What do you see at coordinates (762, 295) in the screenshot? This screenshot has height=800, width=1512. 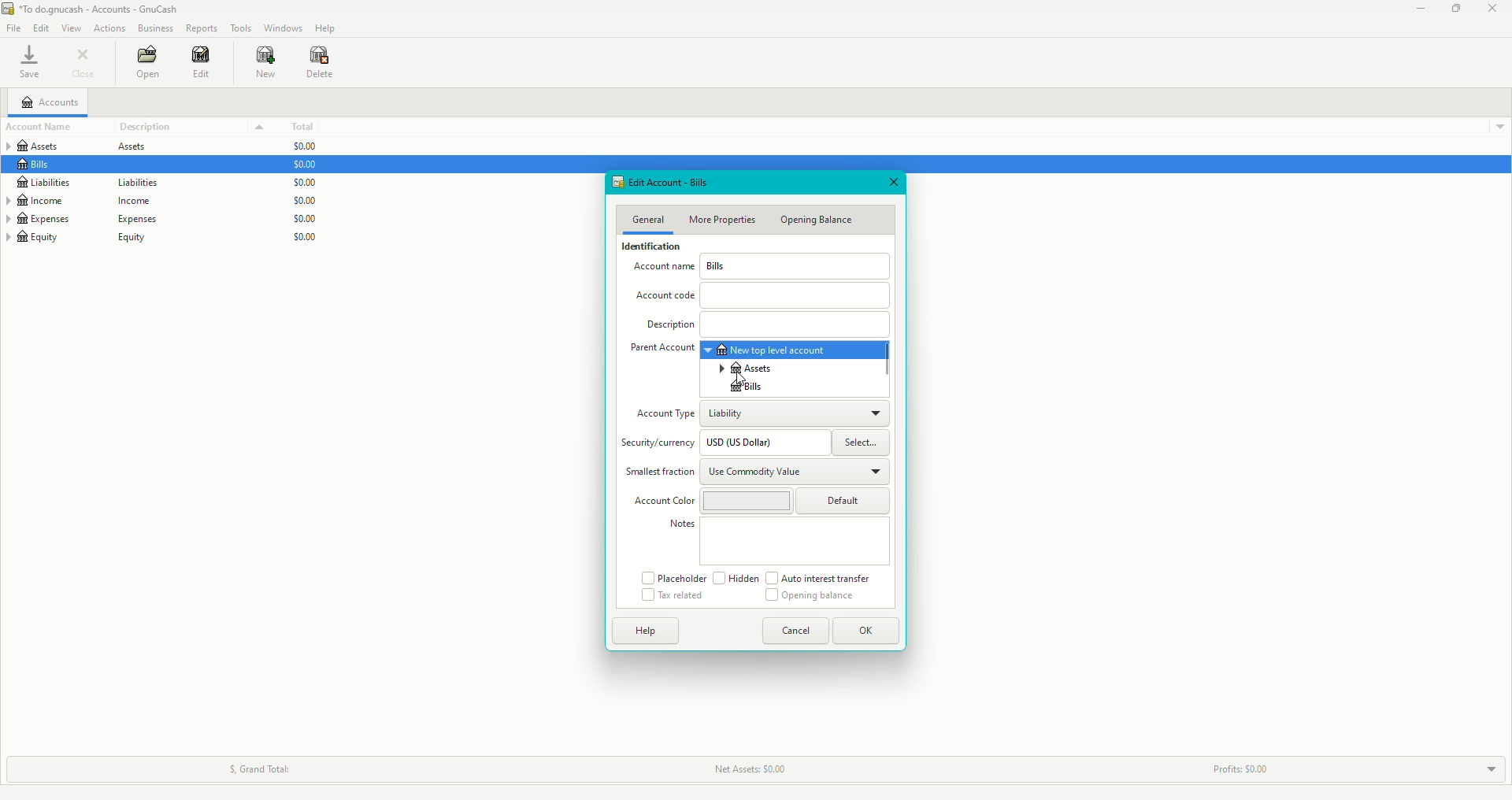 I see `Account code` at bounding box center [762, 295].